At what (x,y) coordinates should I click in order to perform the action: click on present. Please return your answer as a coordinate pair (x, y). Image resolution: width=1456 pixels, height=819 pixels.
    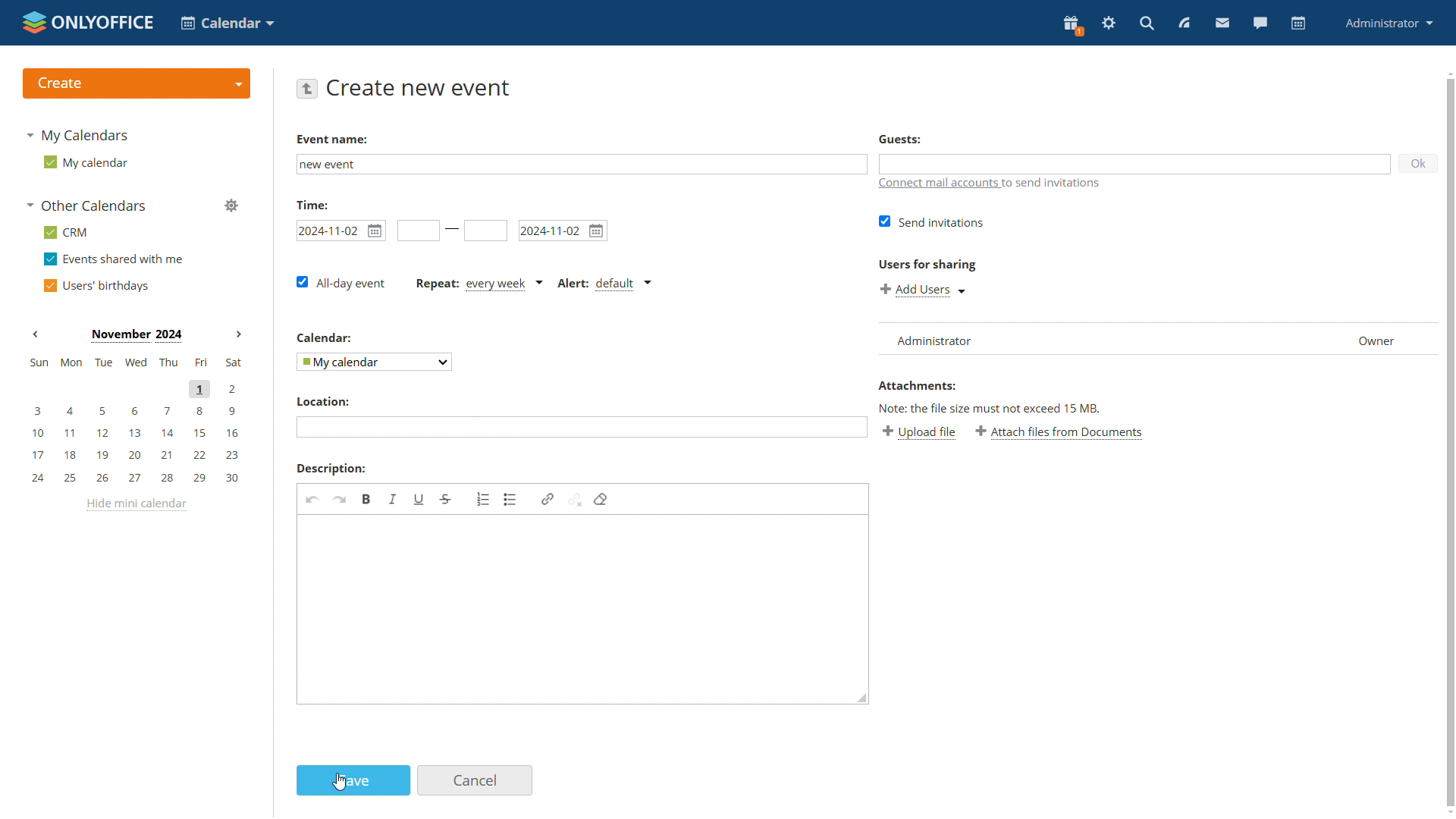
    Looking at the image, I should click on (1072, 26).